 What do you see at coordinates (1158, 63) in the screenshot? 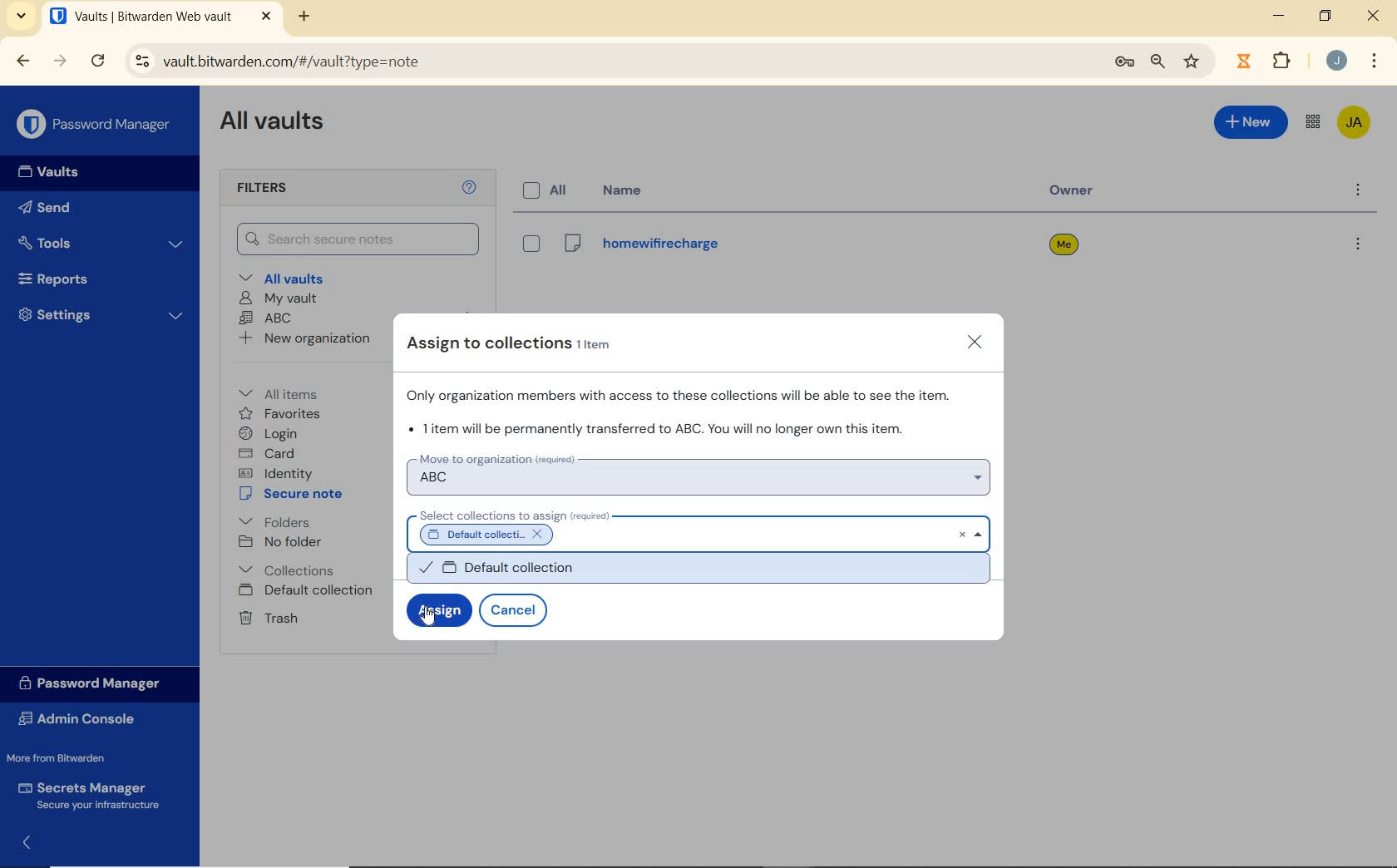
I see `zoom` at bounding box center [1158, 63].